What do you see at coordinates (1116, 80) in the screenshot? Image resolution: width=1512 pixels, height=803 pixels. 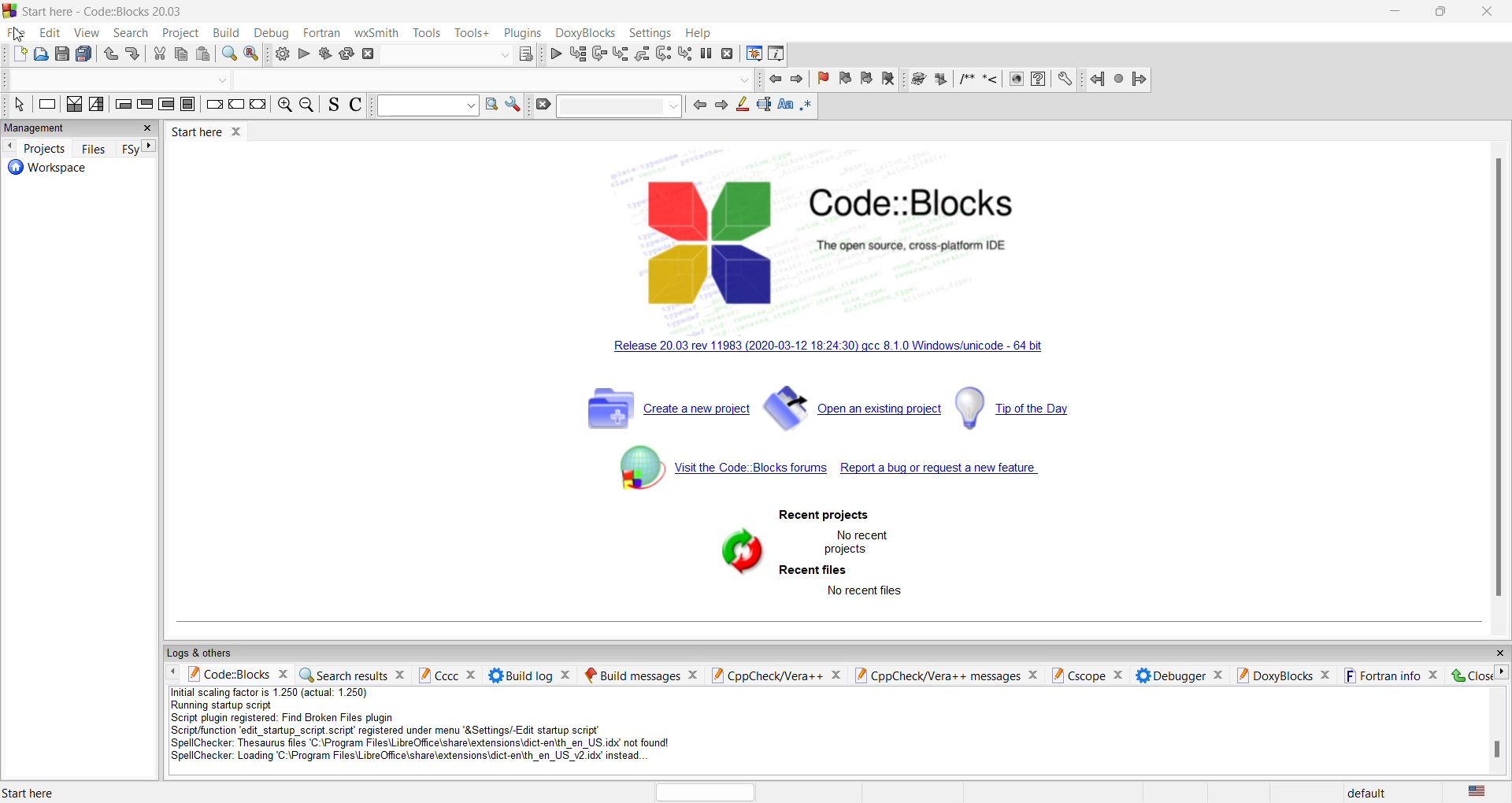 I see `next jump` at bounding box center [1116, 80].